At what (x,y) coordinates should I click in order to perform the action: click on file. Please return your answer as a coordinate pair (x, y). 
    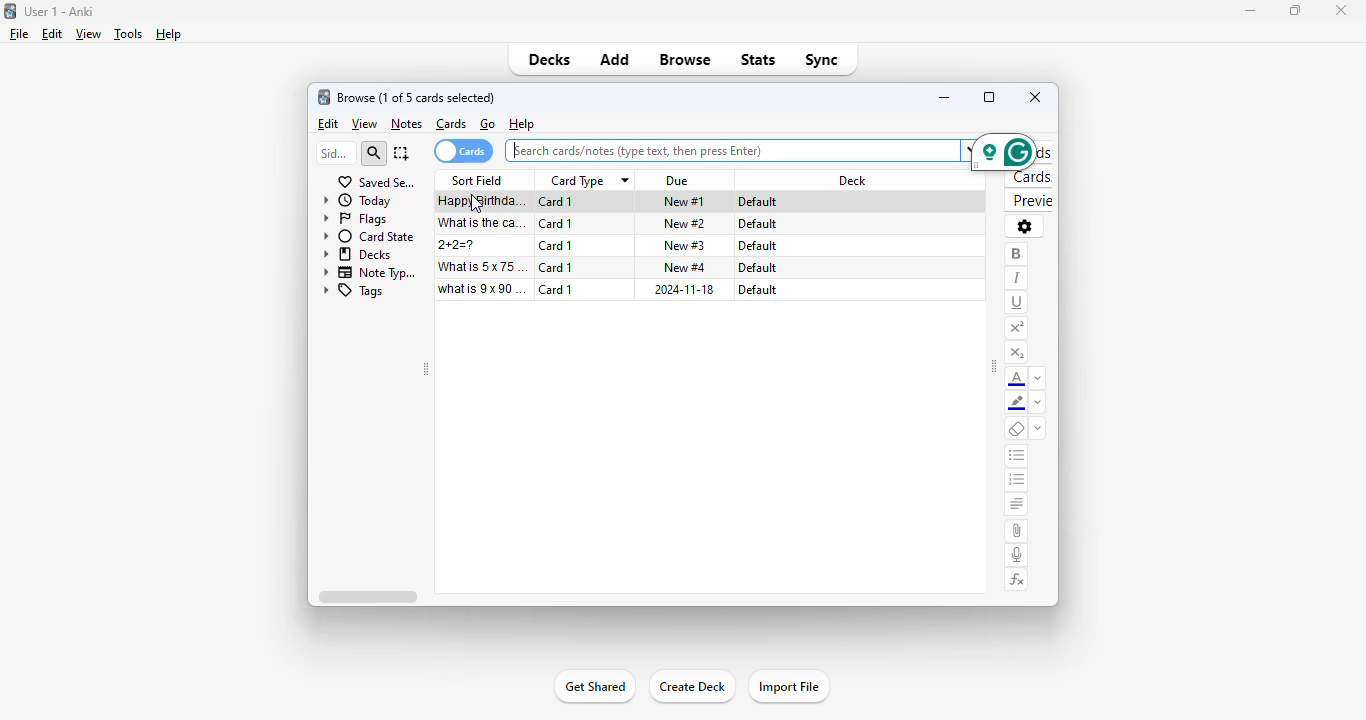
    Looking at the image, I should click on (19, 34).